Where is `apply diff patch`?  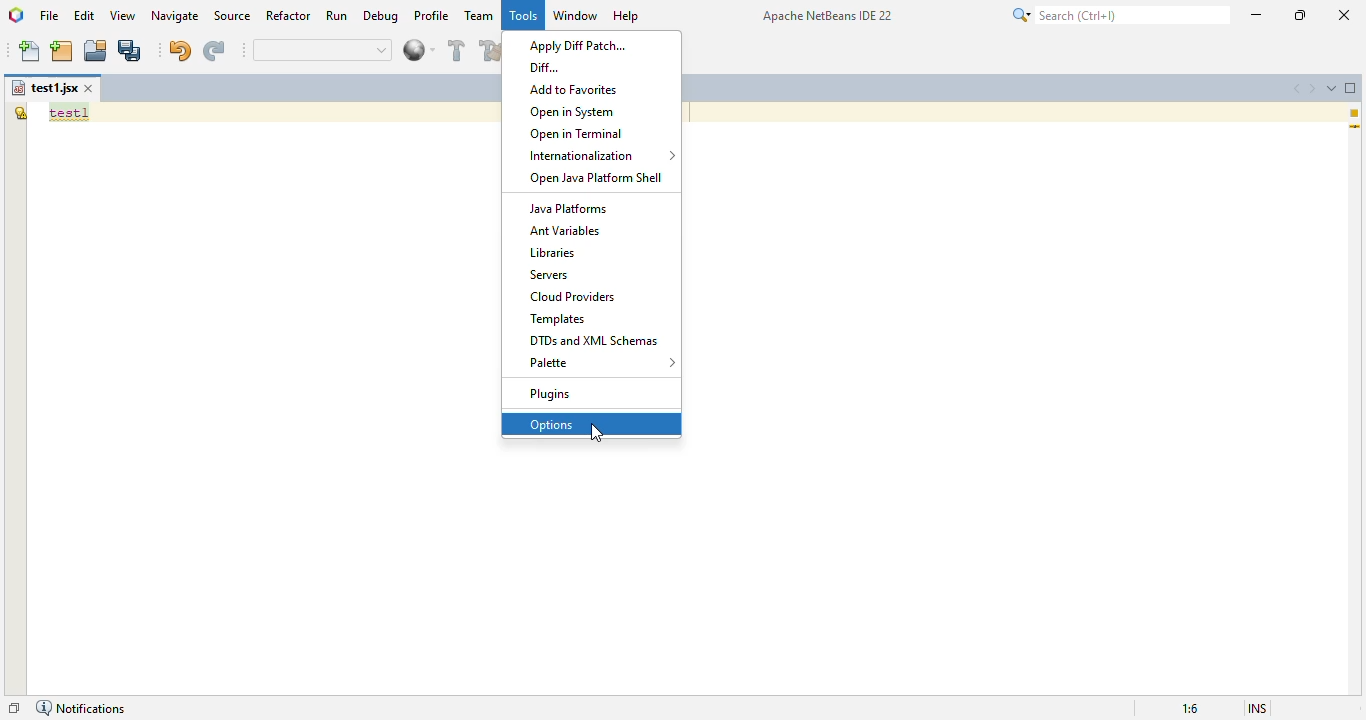
apply diff patch is located at coordinates (576, 47).